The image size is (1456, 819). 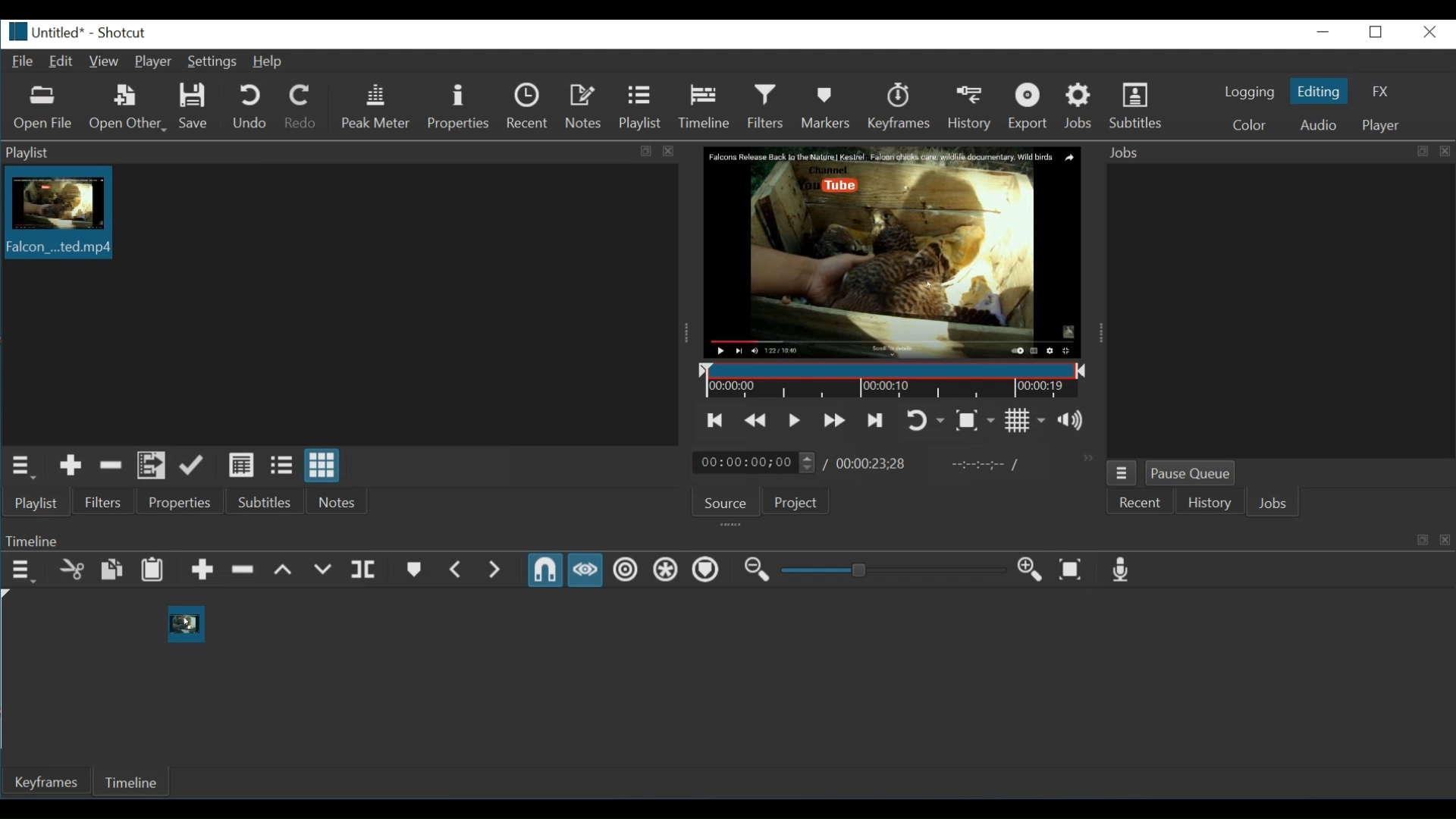 What do you see at coordinates (322, 571) in the screenshot?
I see `Overwrite` at bounding box center [322, 571].